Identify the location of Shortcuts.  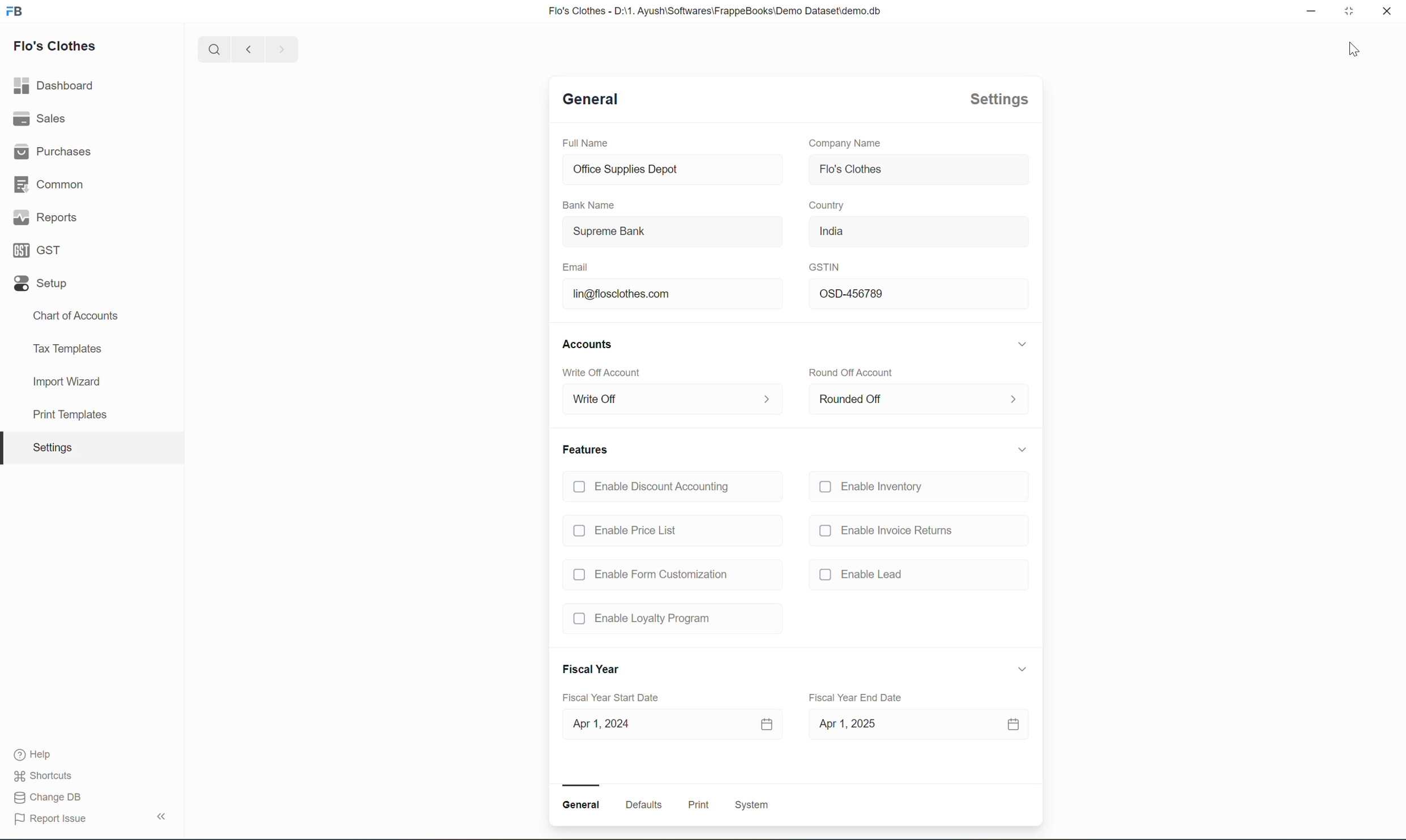
(45, 775).